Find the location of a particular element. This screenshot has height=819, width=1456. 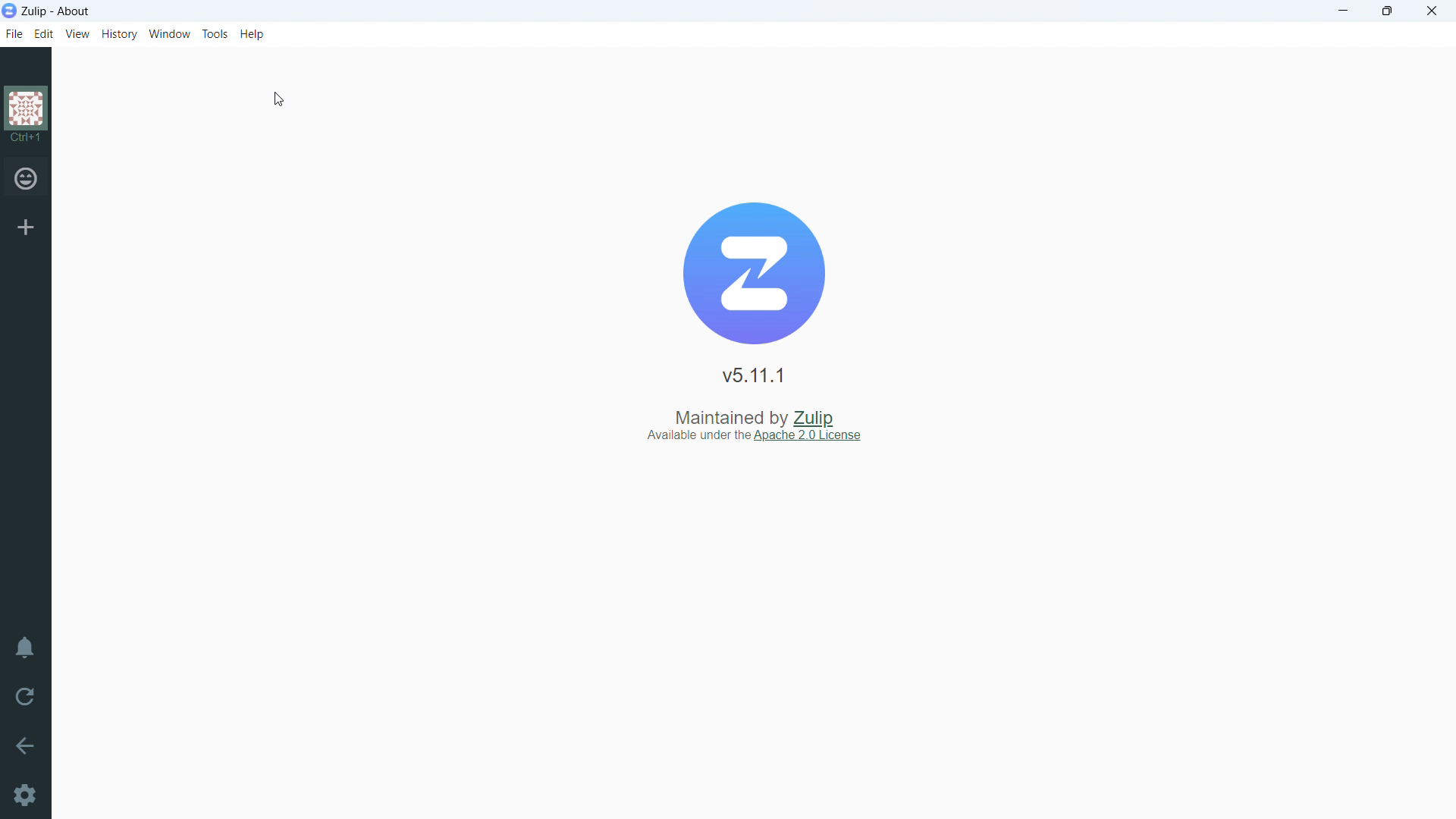

logo is located at coordinates (755, 274).